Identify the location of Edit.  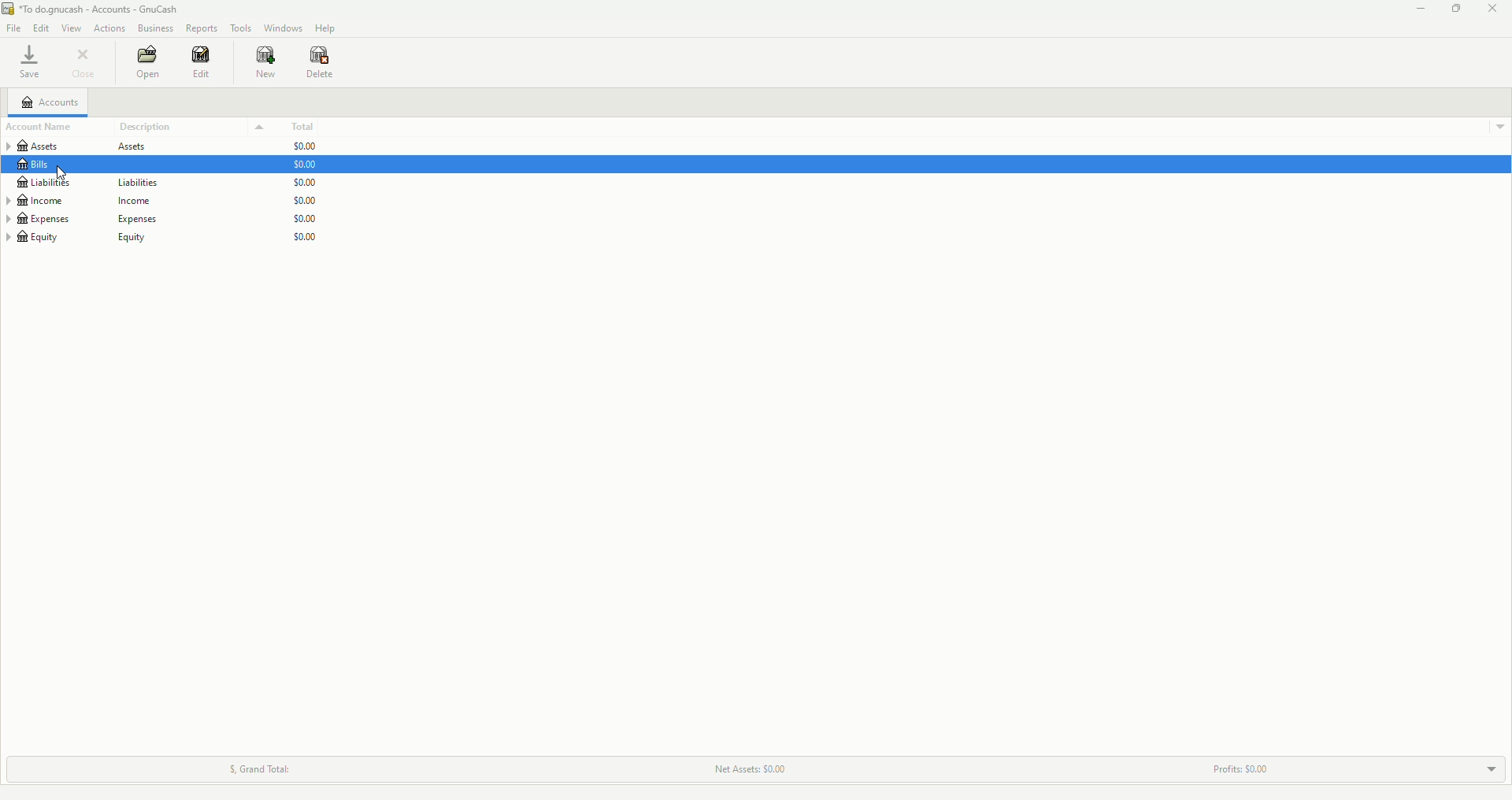
(205, 64).